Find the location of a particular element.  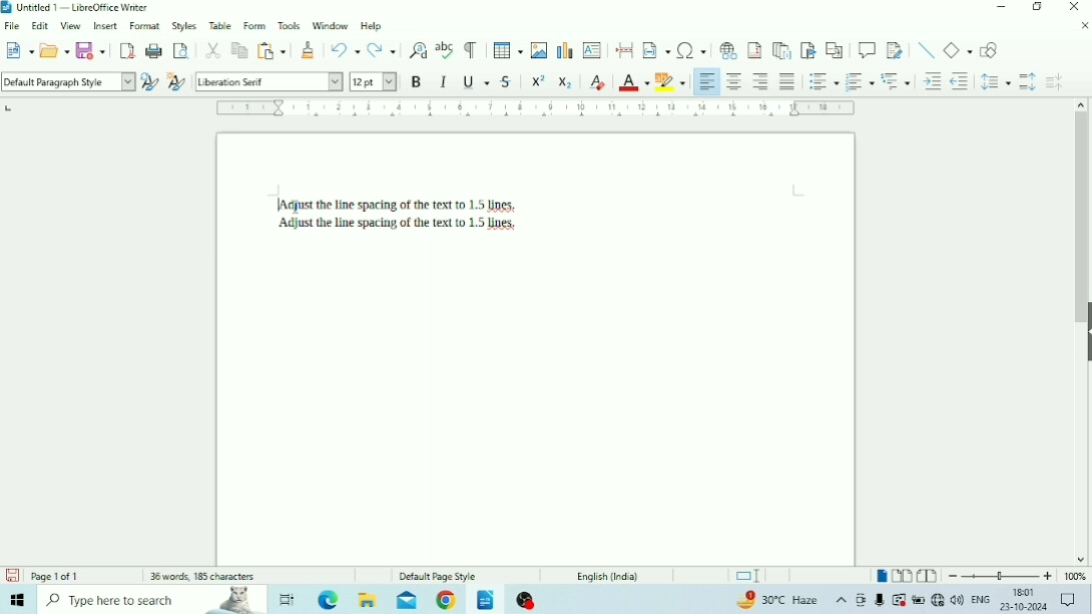

Language is located at coordinates (981, 599).